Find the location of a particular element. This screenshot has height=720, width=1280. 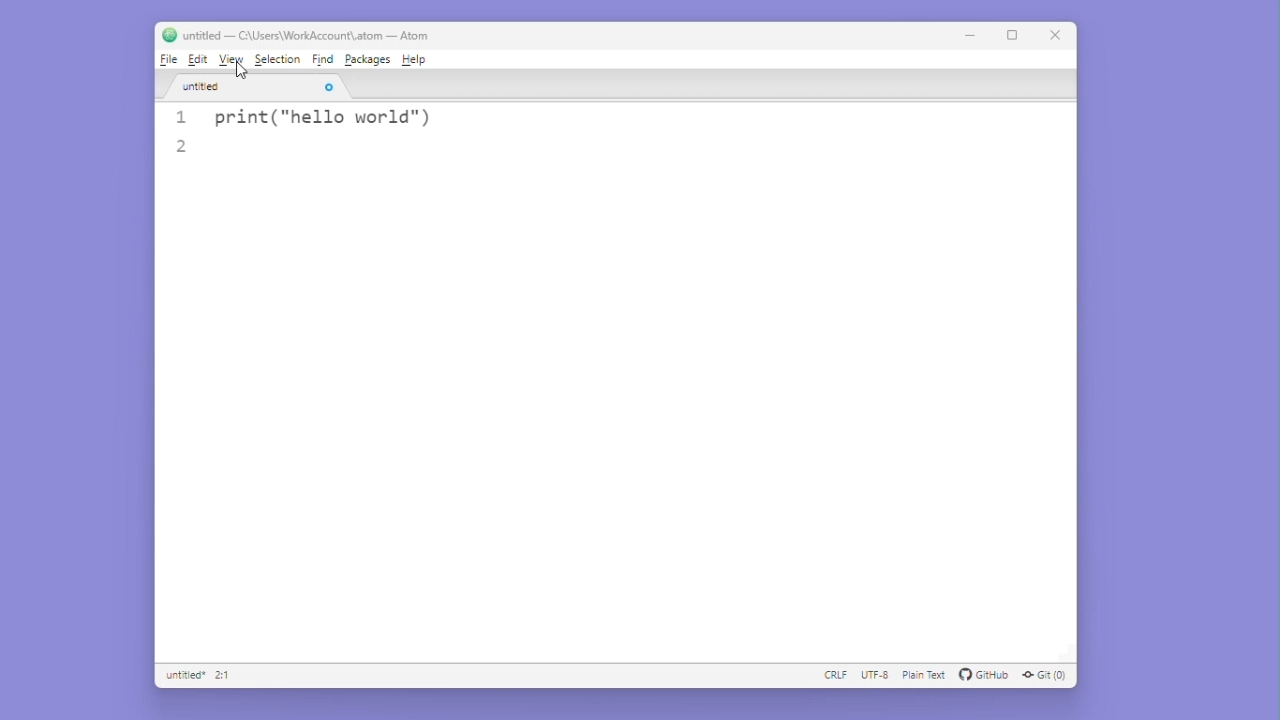

editor pane is located at coordinates (615, 423).